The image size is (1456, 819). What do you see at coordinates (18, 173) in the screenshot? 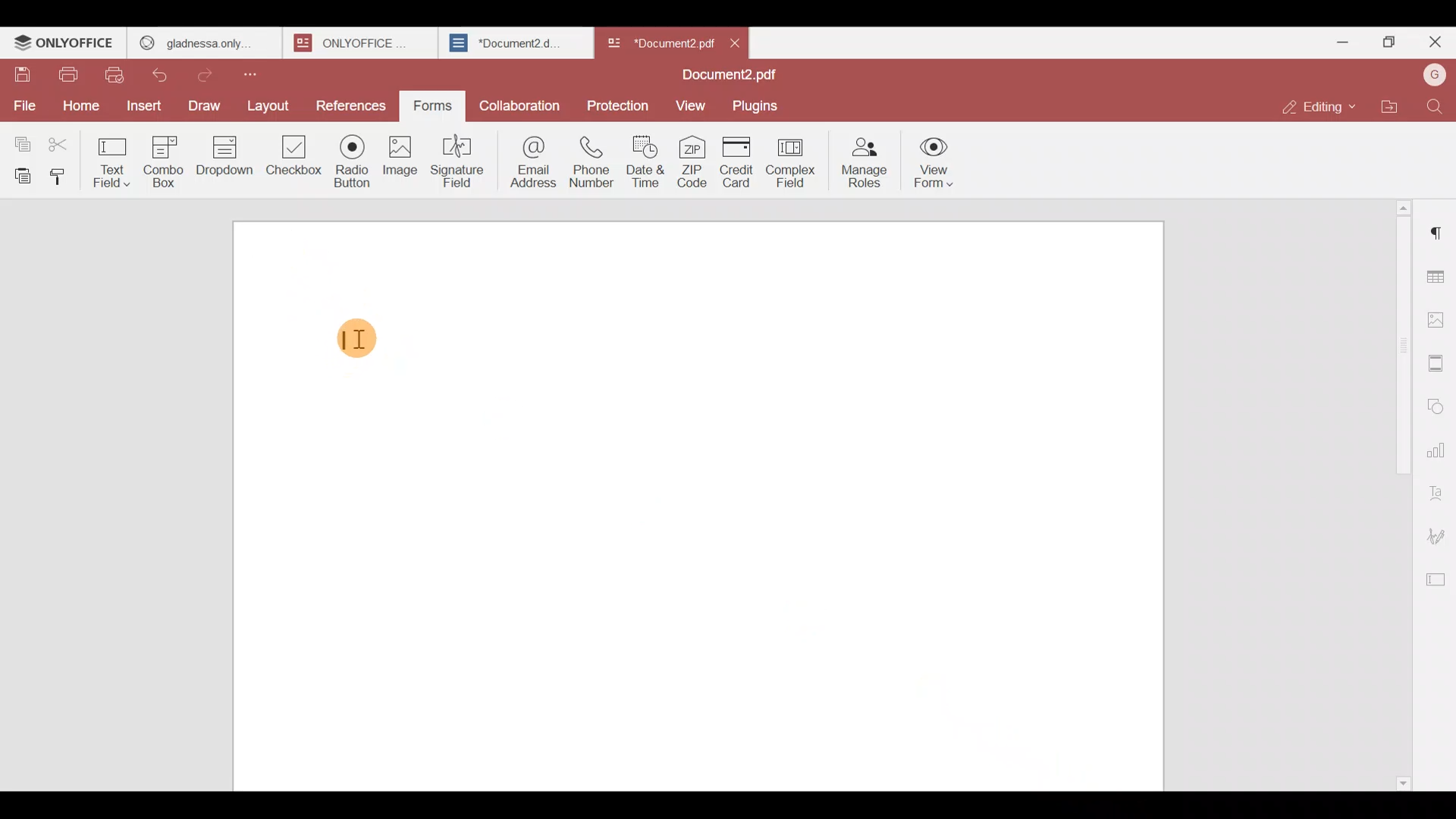
I see `Paste` at bounding box center [18, 173].